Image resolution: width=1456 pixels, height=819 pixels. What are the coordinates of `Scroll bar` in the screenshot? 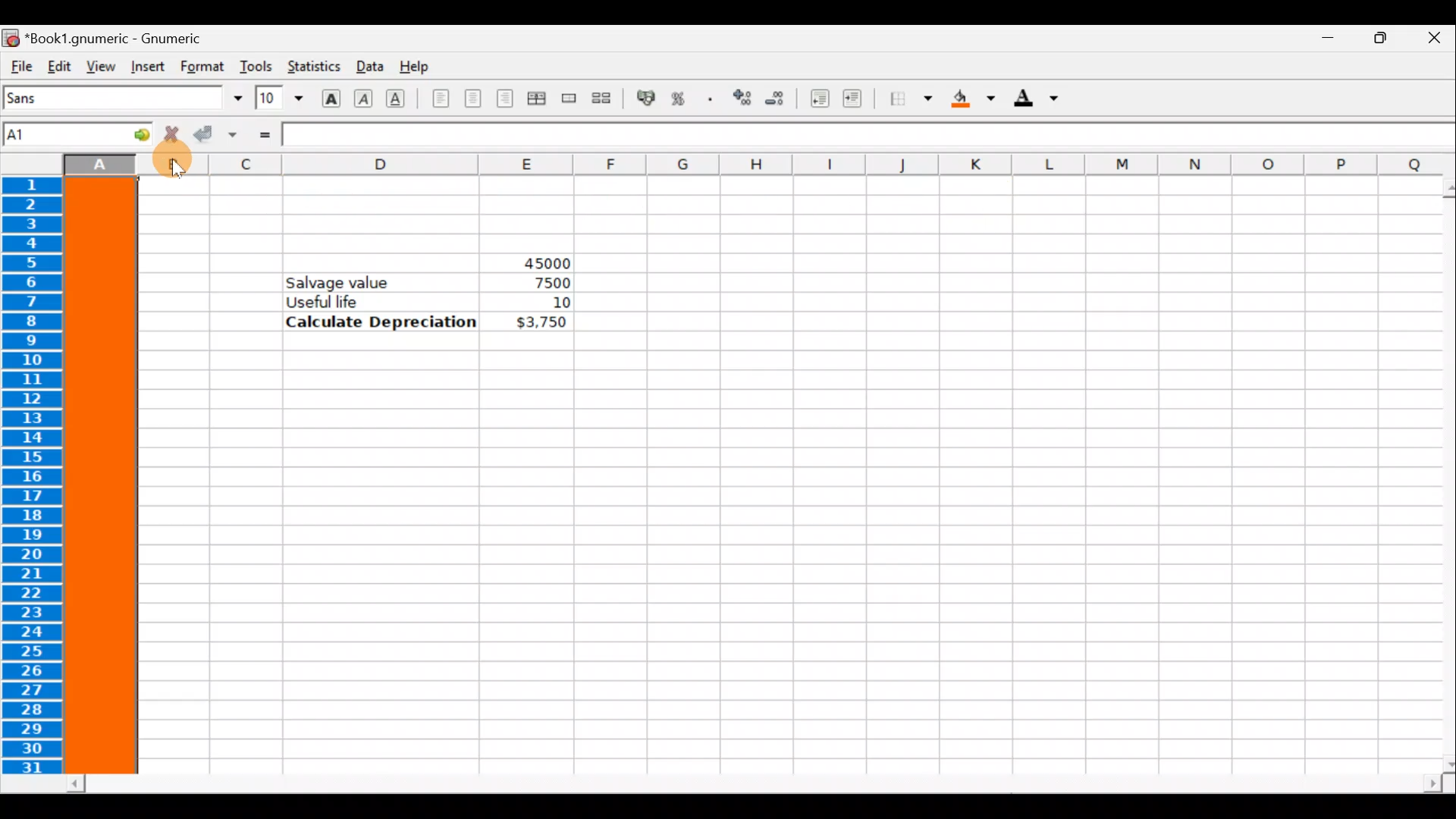 It's located at (1438, 475).